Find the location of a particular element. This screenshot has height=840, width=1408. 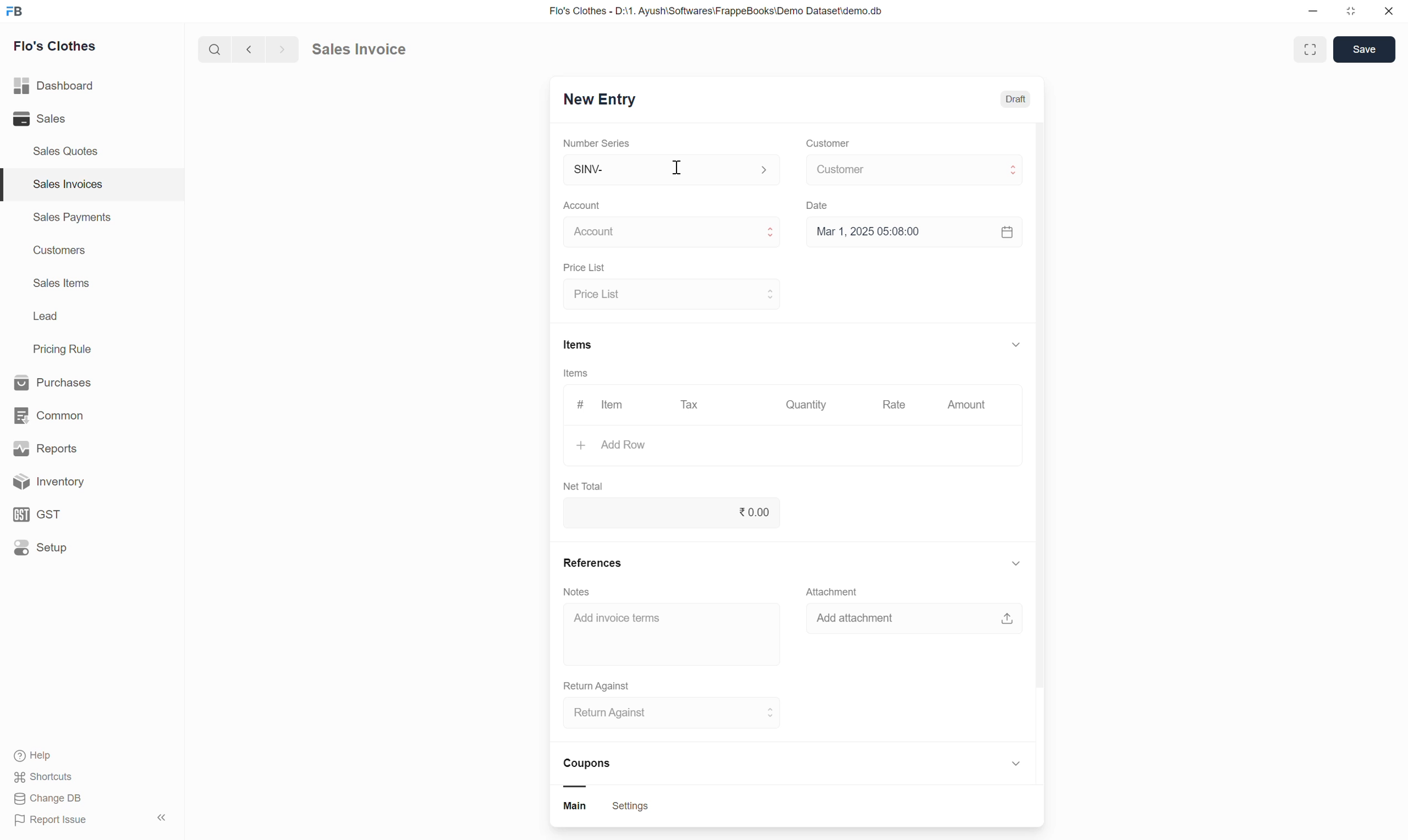

main is located at coordinates (580, 808).